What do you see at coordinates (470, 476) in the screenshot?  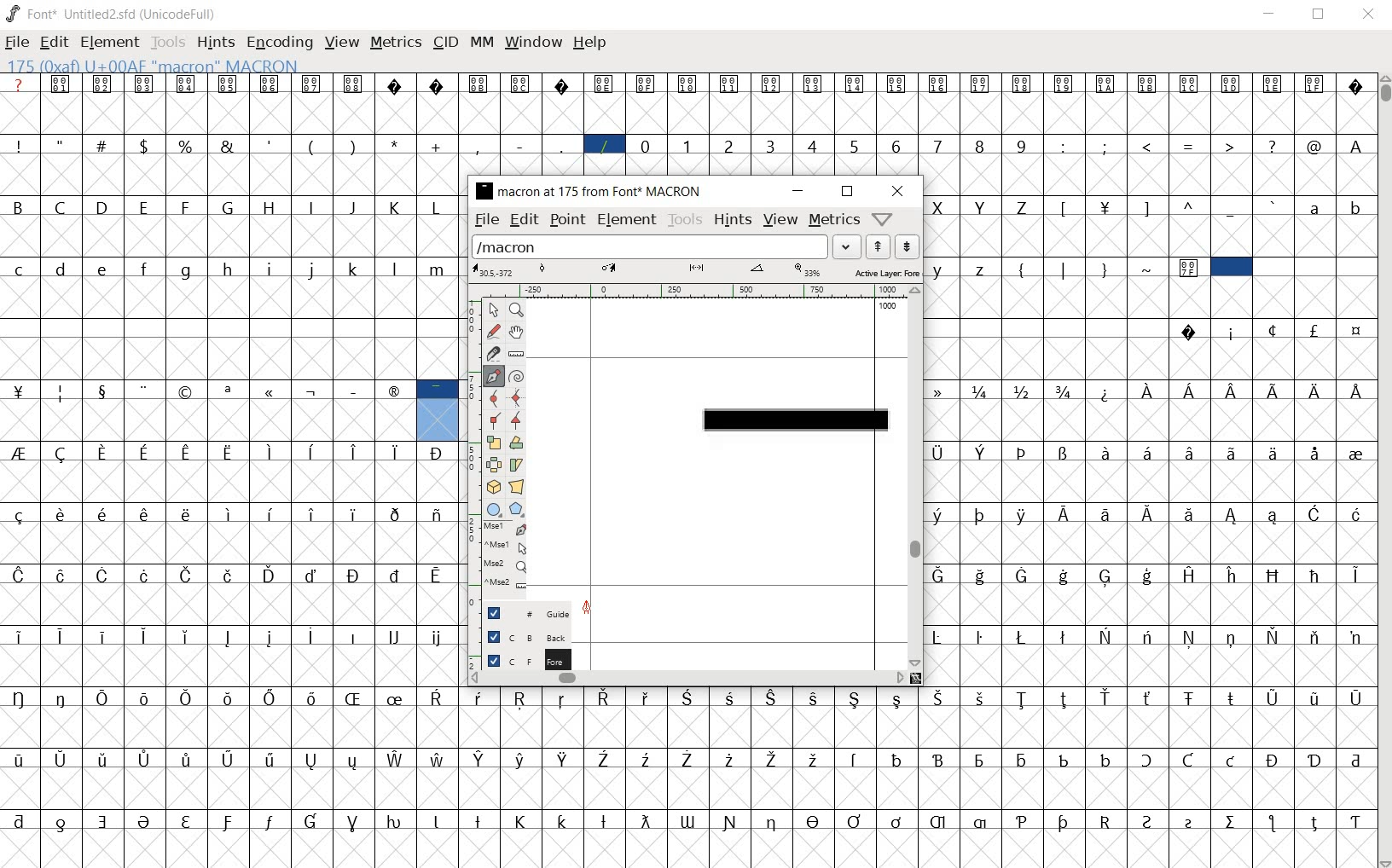 I see `ruler` at bounding box center [470, 476].